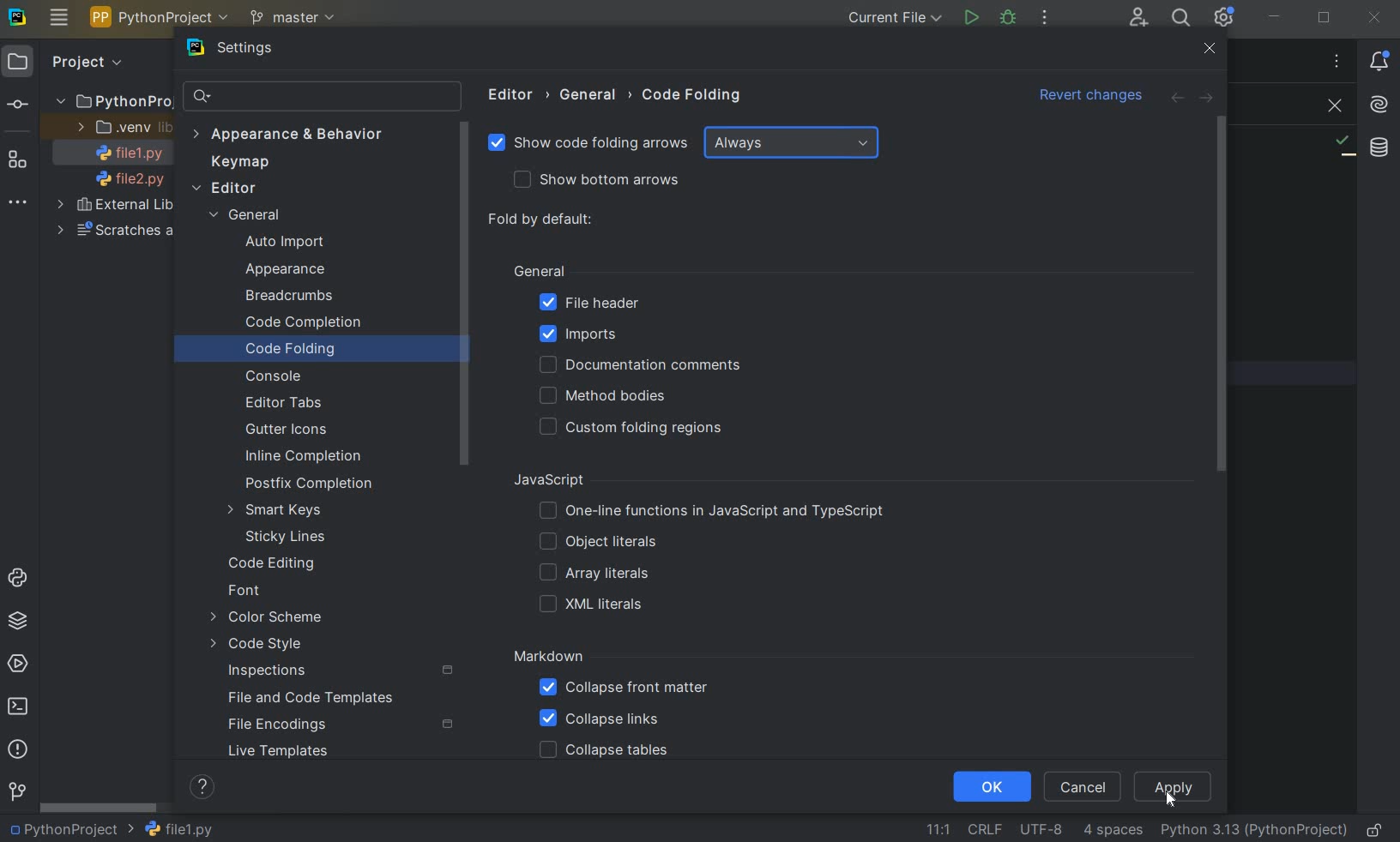 This screenshot has height=842, width=1400. I want to click on IDE AND PROJECT SETTINGS, so click(1226, 19).